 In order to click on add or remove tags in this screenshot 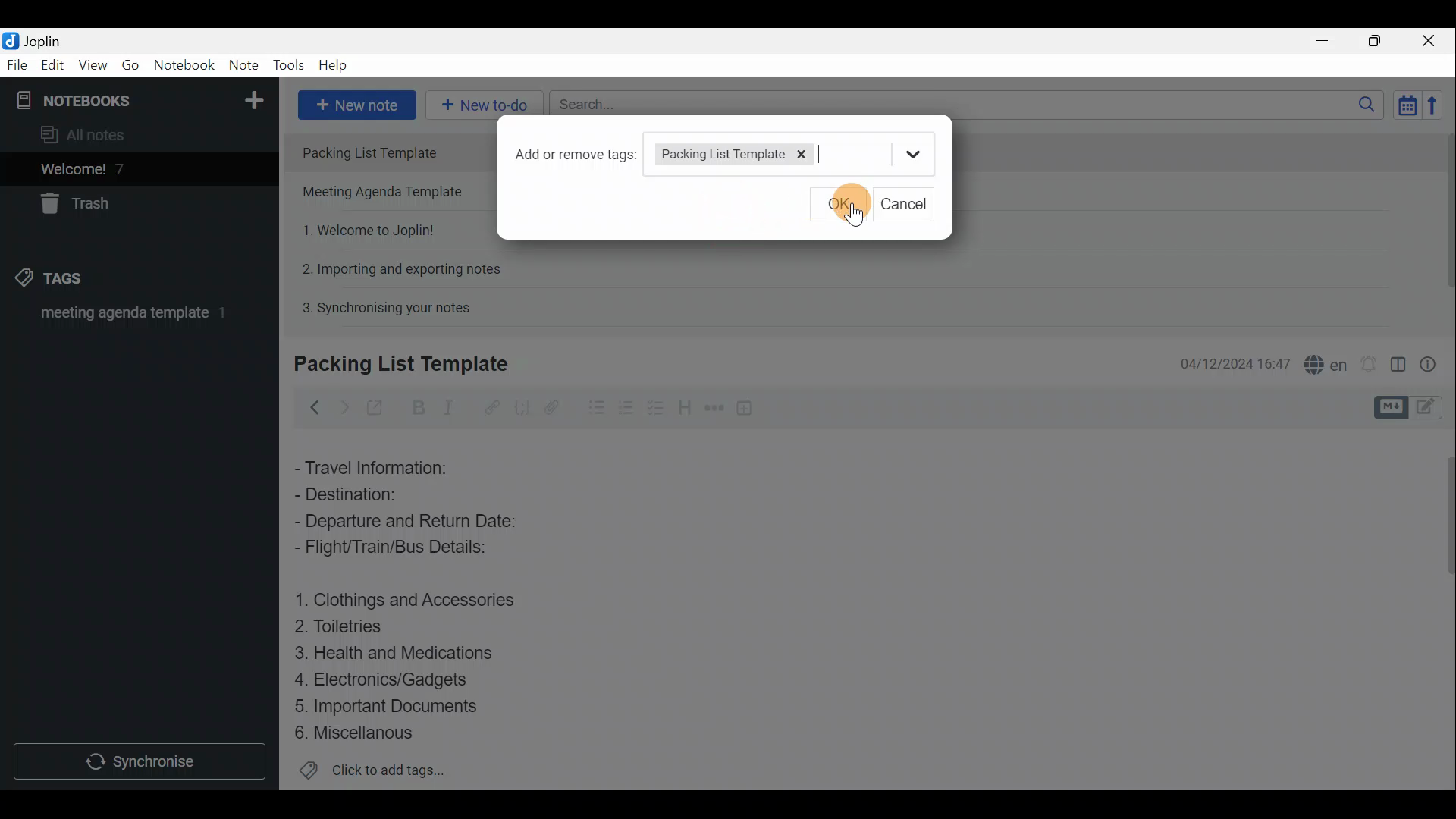, I will do `click(576, 153)`.